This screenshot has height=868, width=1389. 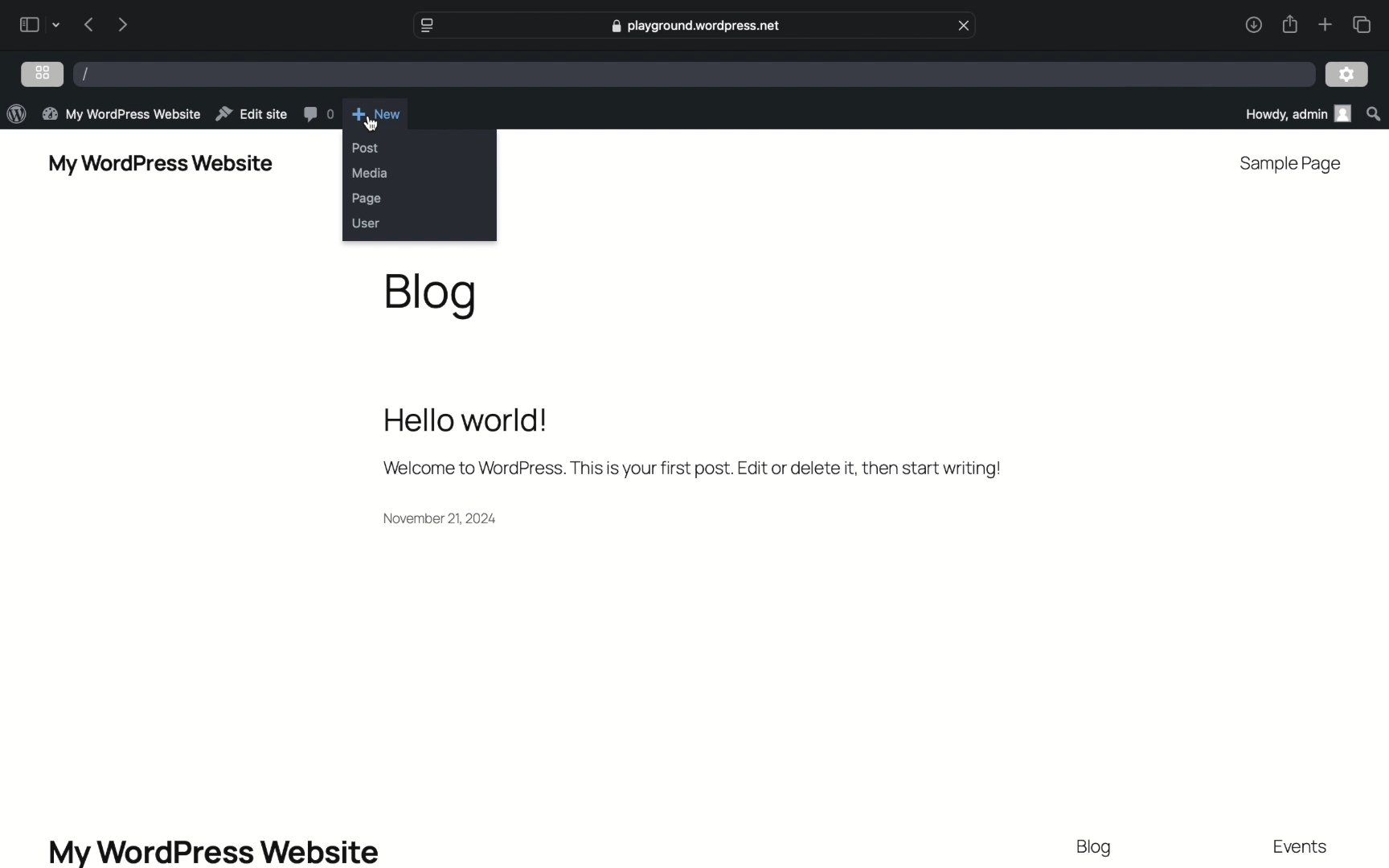 What do you see at coordinates (318, 113) in the screenshot?
I see `comments` at bounding box center [318, 113].